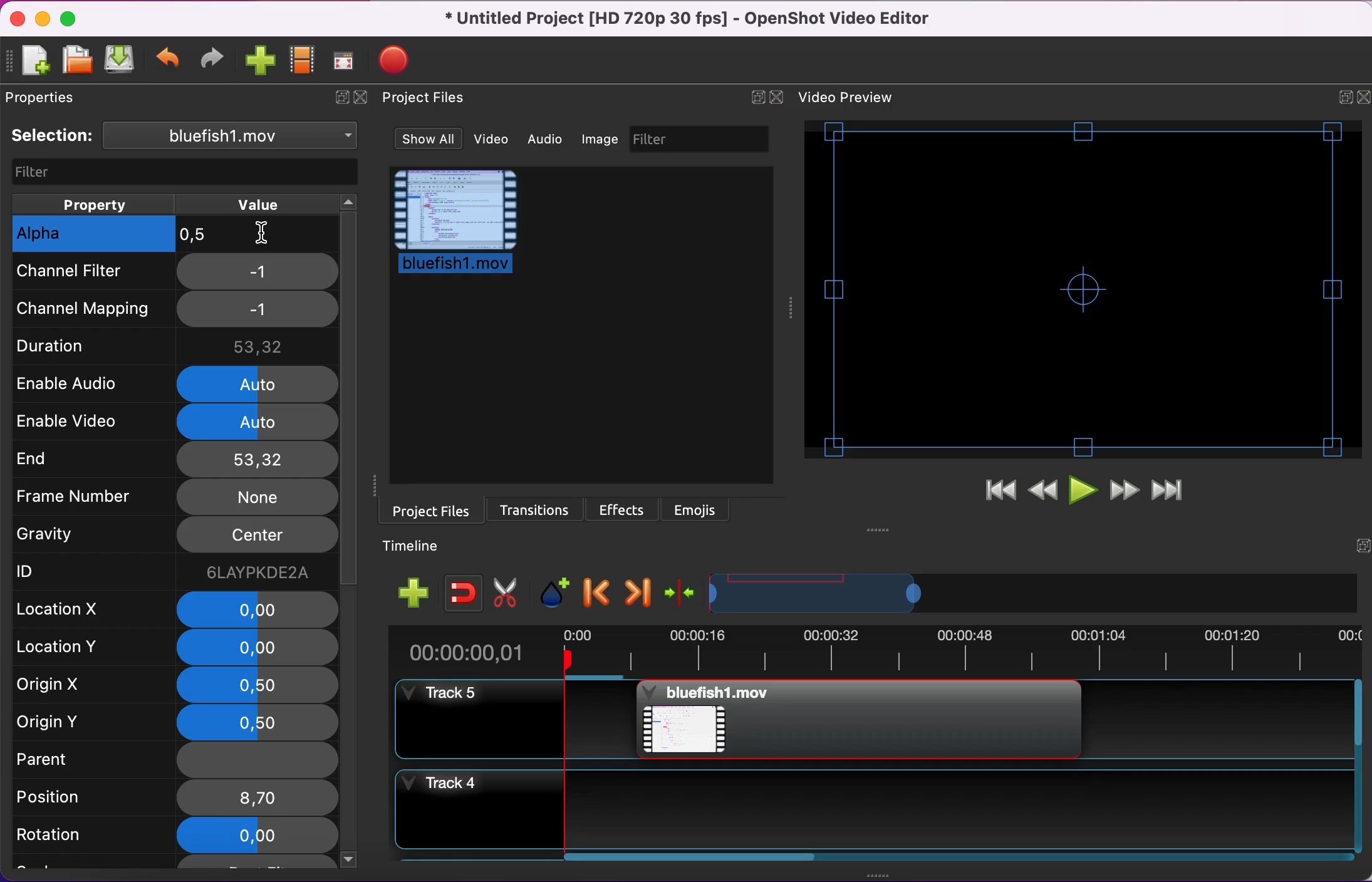  I want to click on next marker, so click(637, 594).